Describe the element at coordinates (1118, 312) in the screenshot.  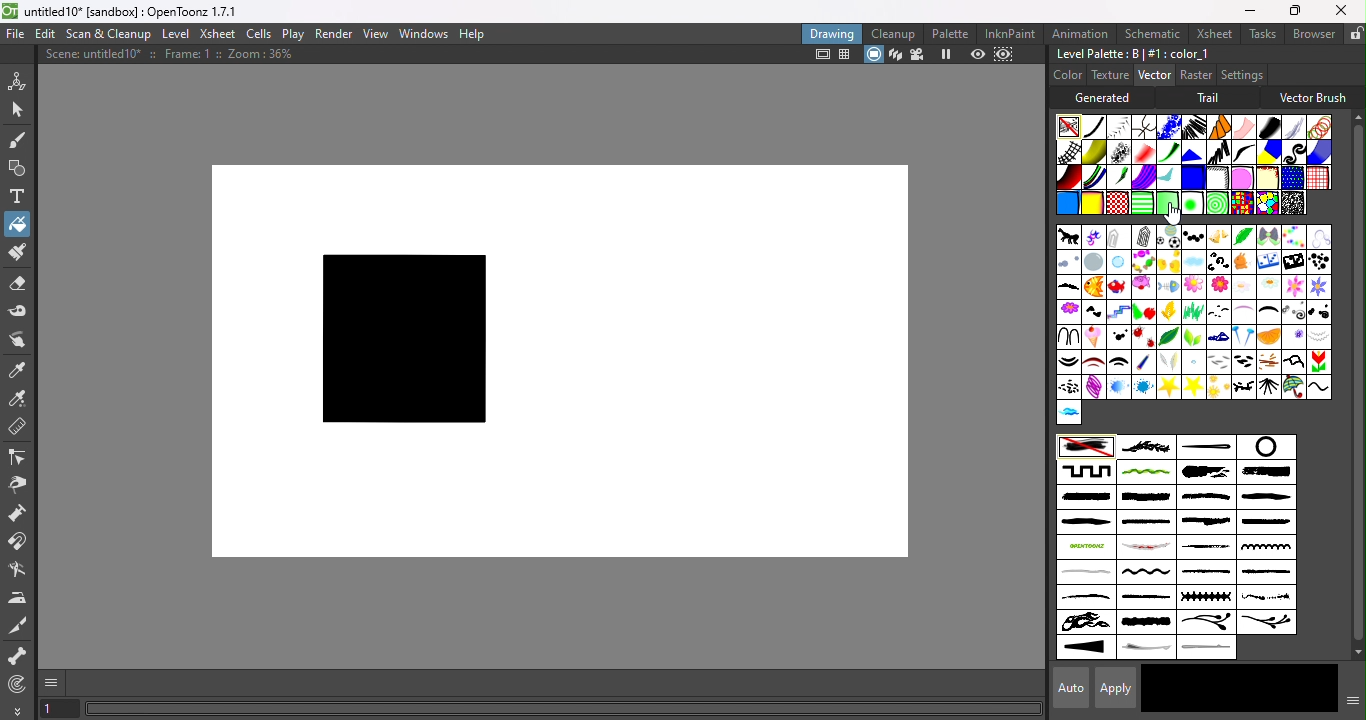
I see `frame` at that location.